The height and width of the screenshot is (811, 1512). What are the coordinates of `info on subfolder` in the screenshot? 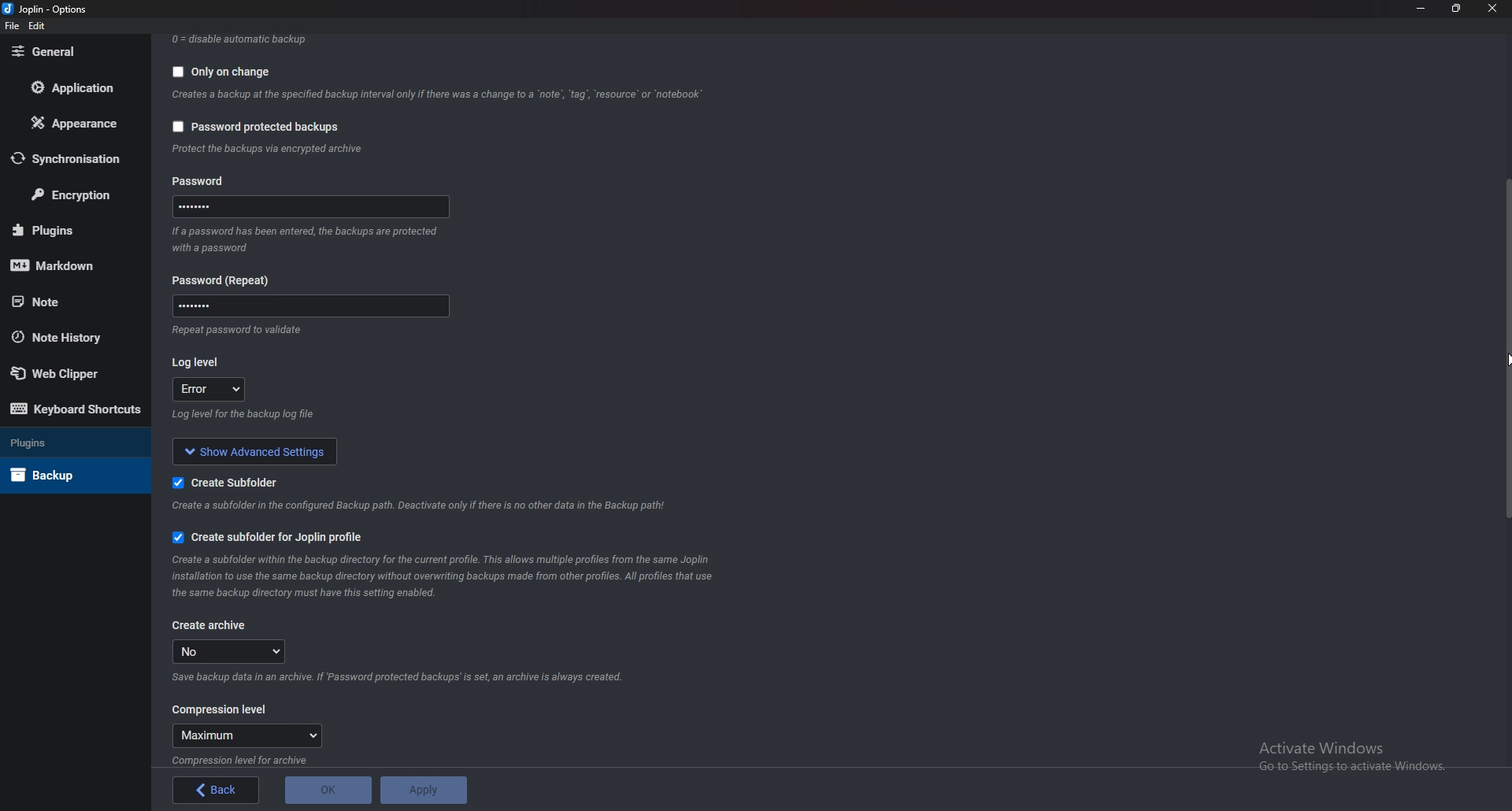 It's located at (424, 505).